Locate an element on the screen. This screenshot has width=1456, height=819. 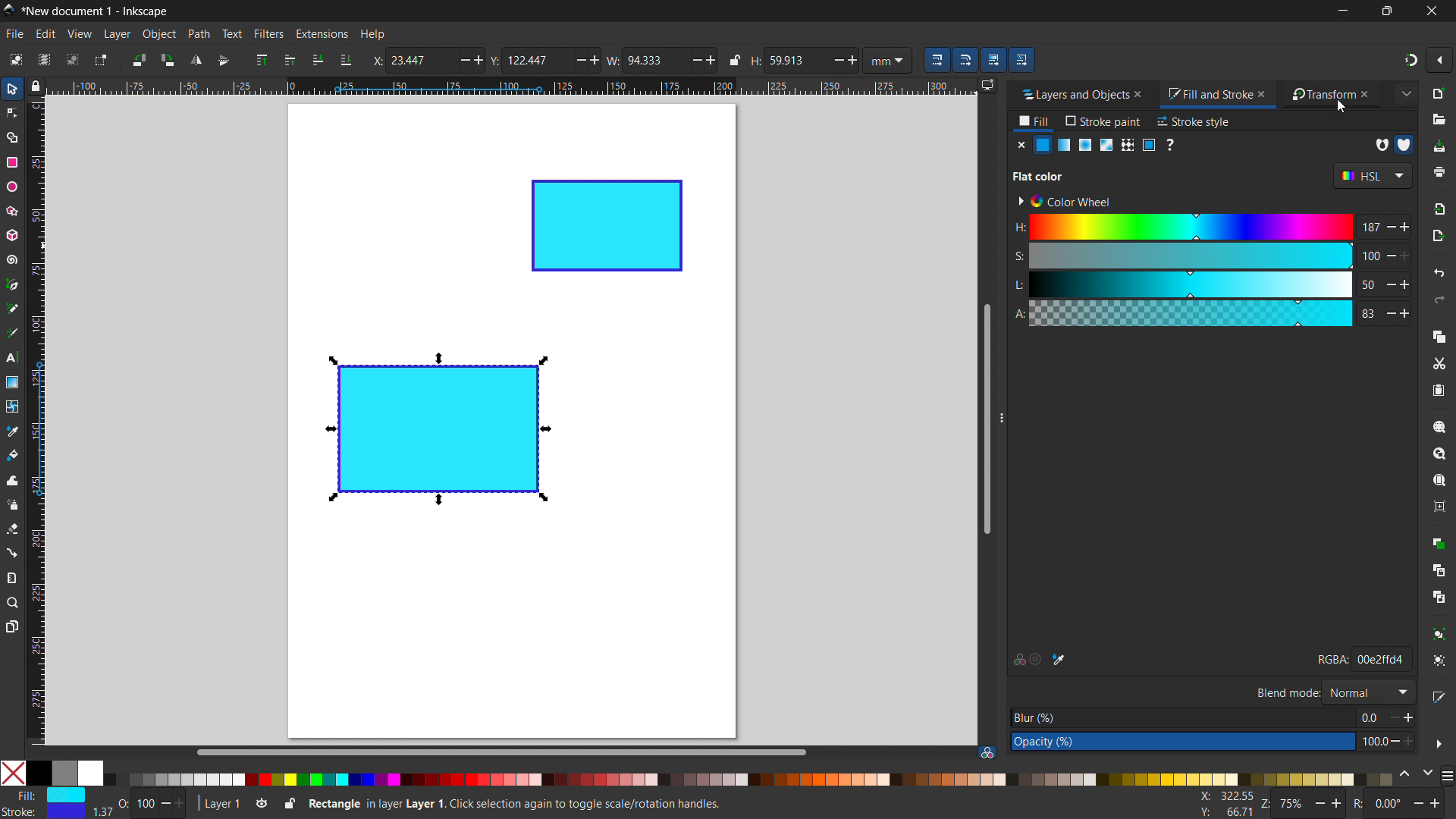
mm is located at coordinates (890, 59).